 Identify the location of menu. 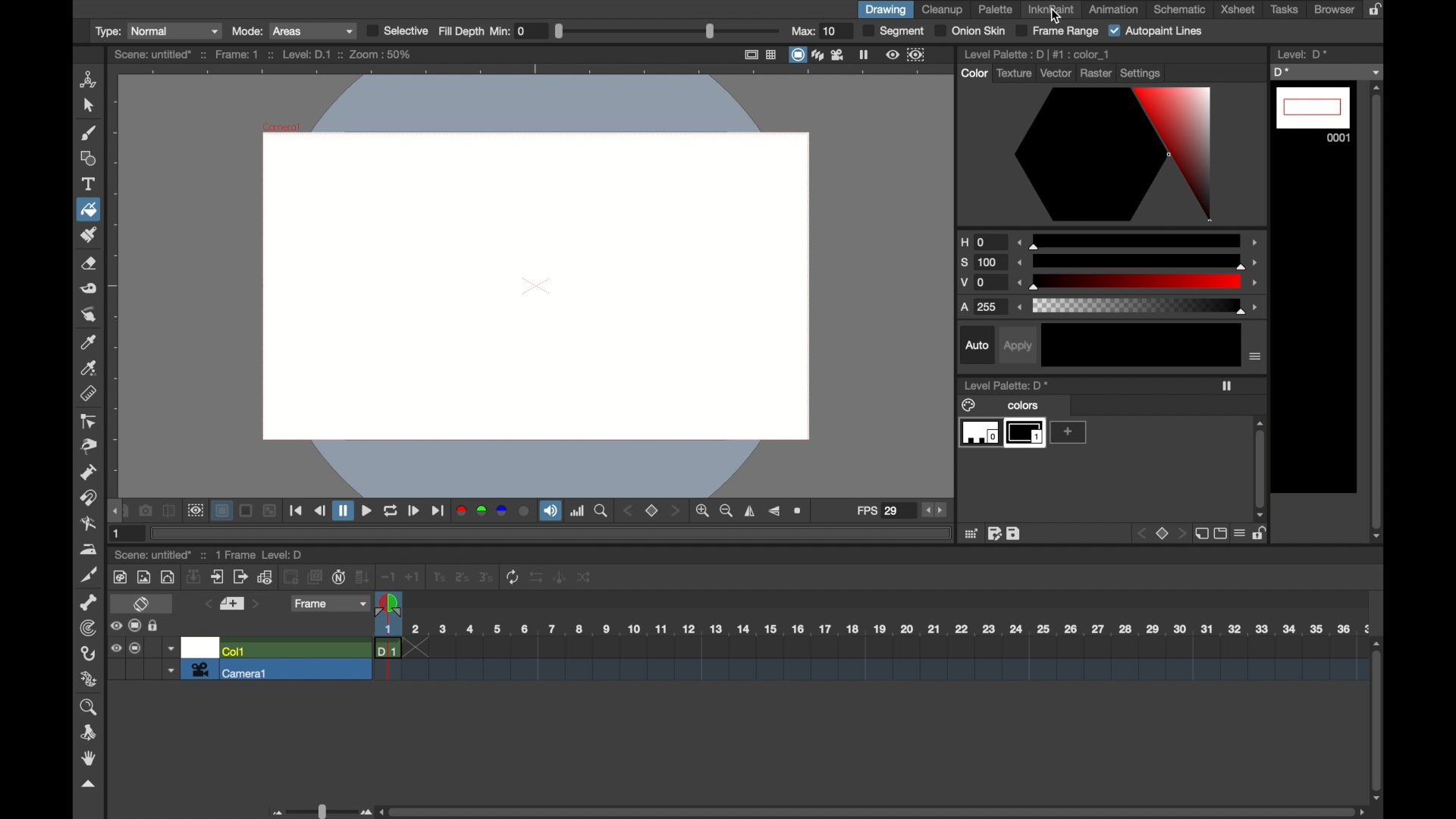
(1241, 535).